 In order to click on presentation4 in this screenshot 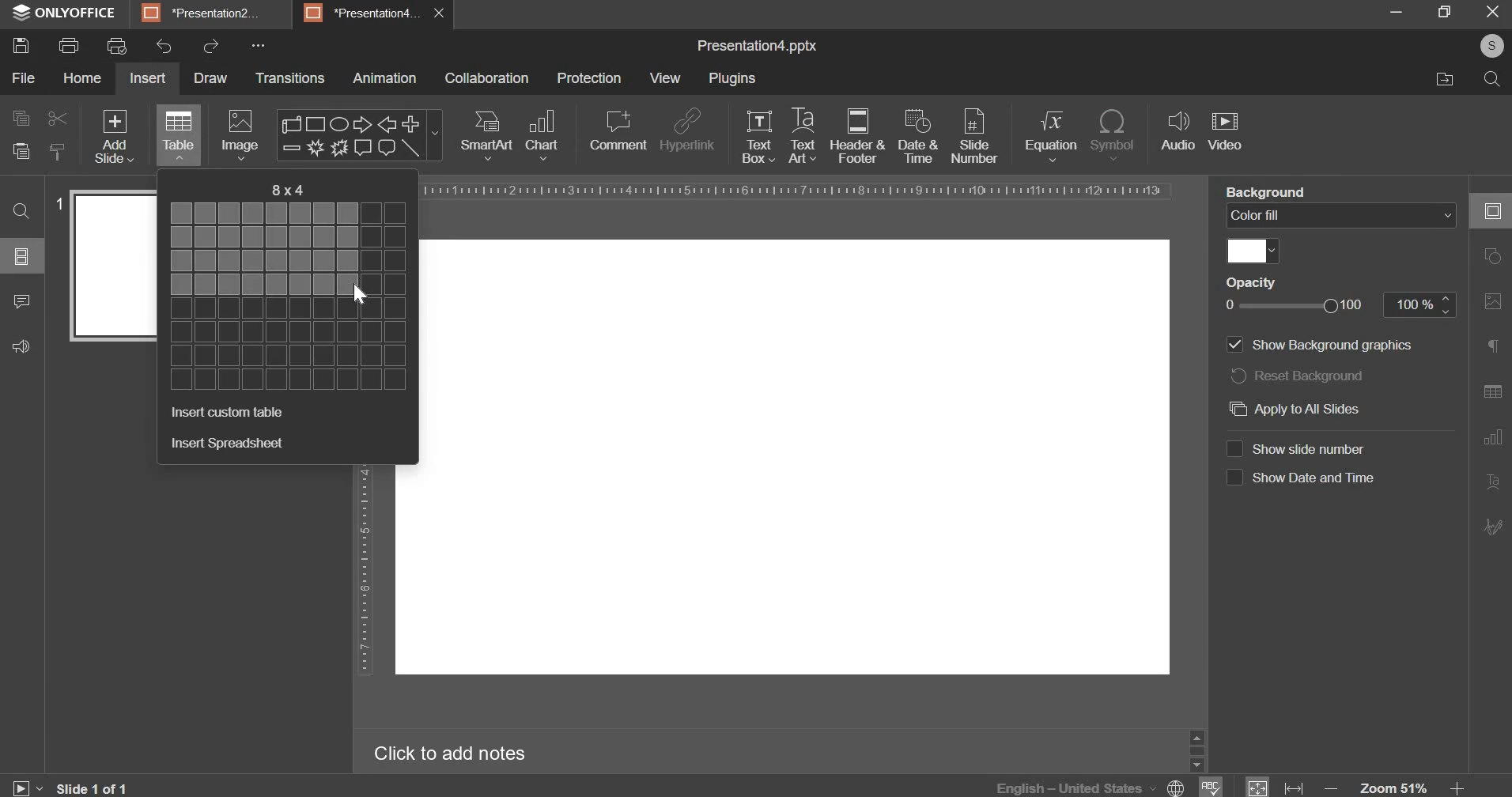, I will do `click(361, 11)`.